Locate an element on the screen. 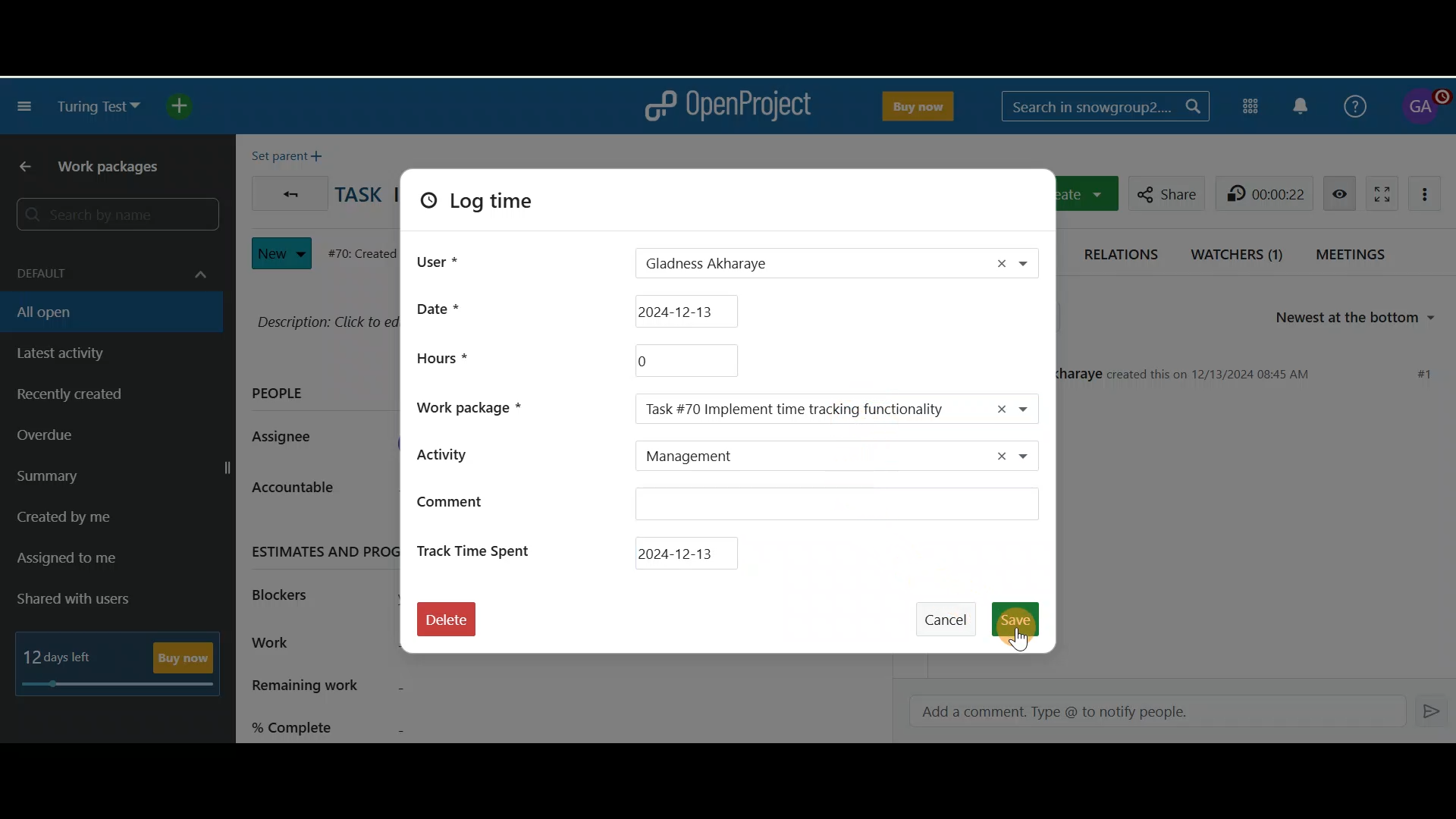 The image size is (1456, 819). TASK is located at coordinates (359, 198).